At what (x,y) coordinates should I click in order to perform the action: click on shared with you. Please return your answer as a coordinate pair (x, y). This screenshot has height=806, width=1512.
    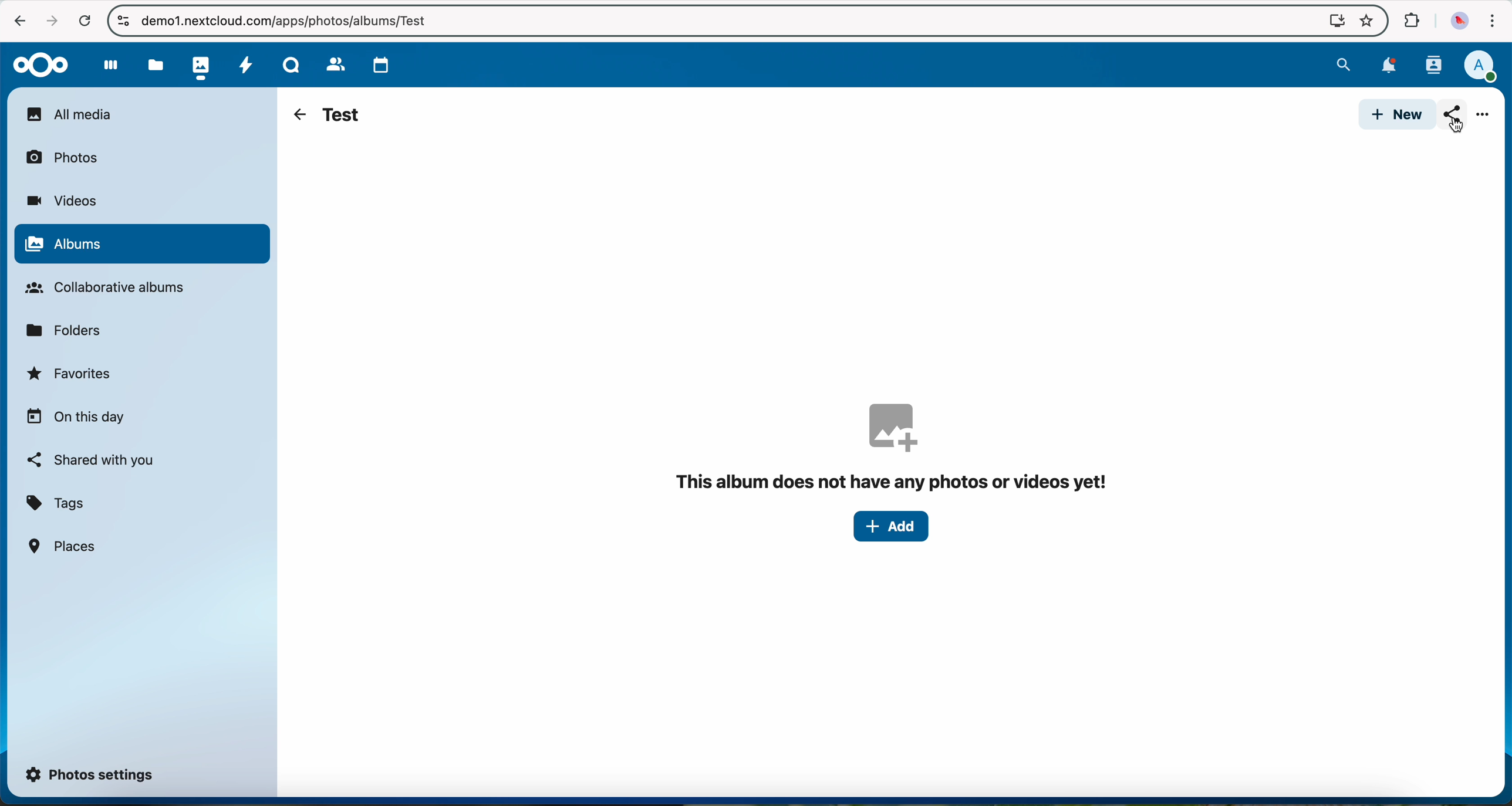
    Looking at the image, I should click on (92, 460).